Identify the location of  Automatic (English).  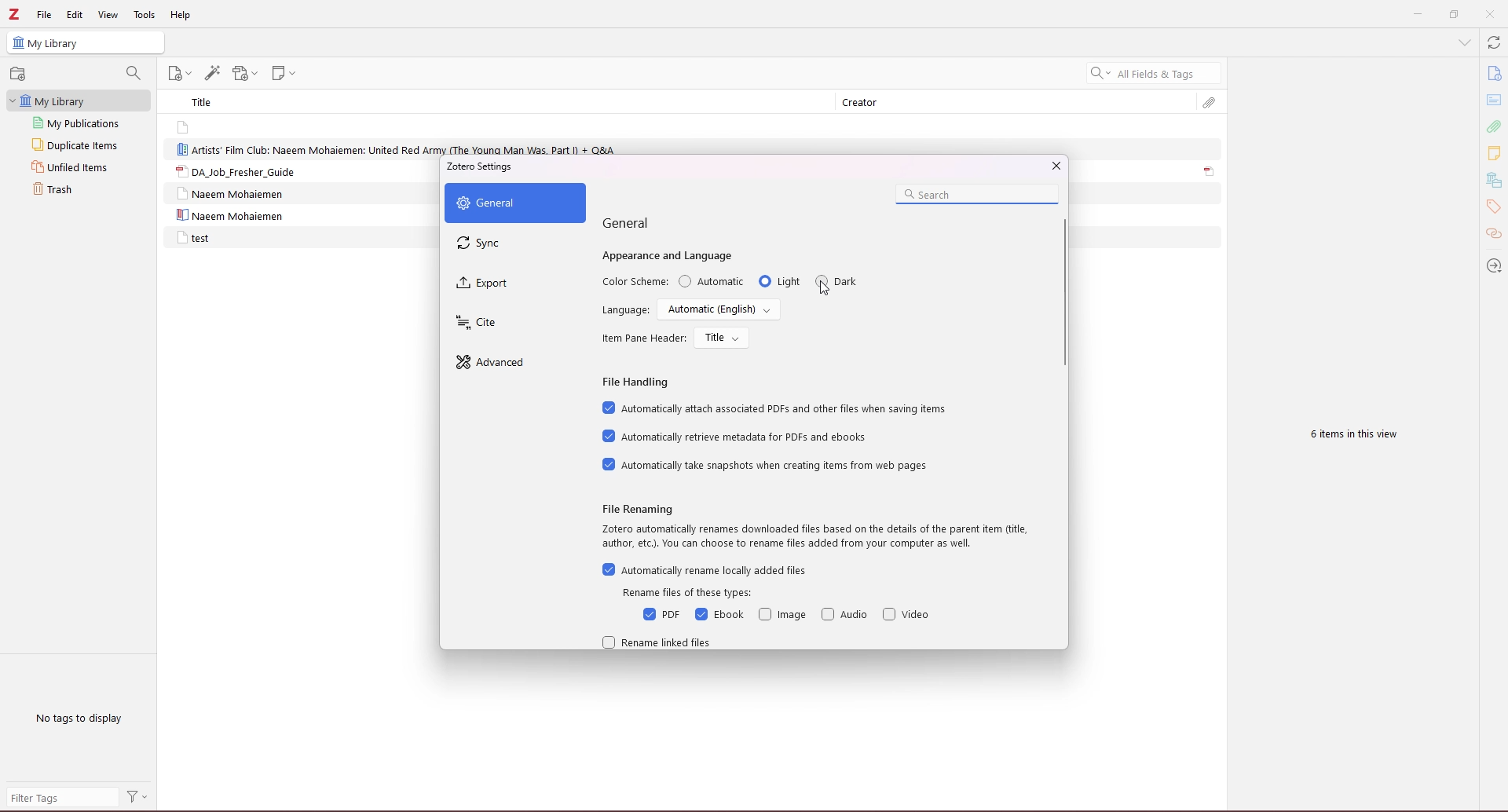
(718, 310).